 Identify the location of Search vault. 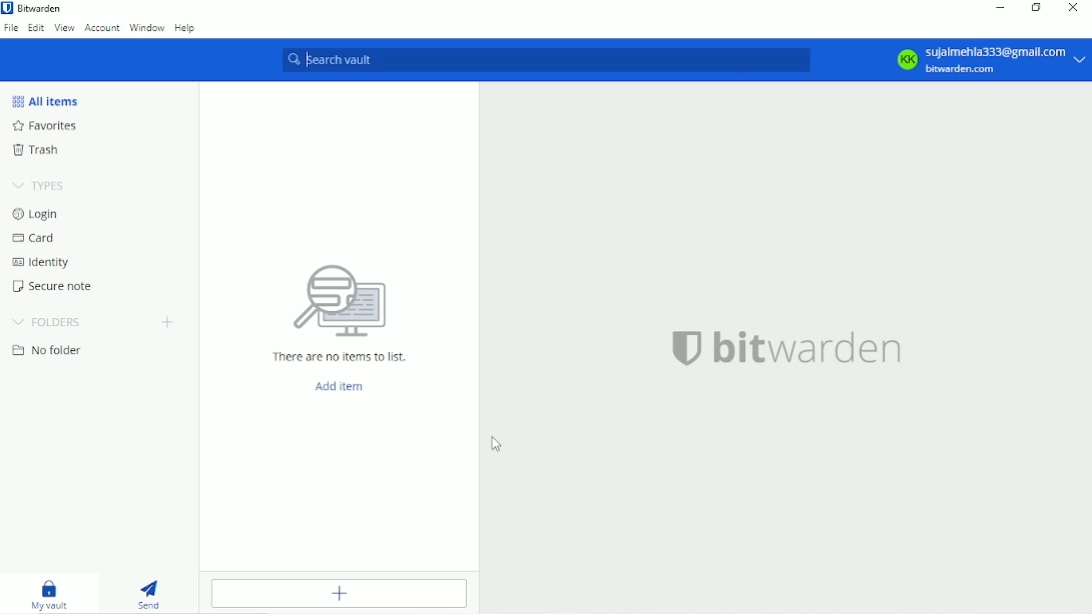
(551, 60).